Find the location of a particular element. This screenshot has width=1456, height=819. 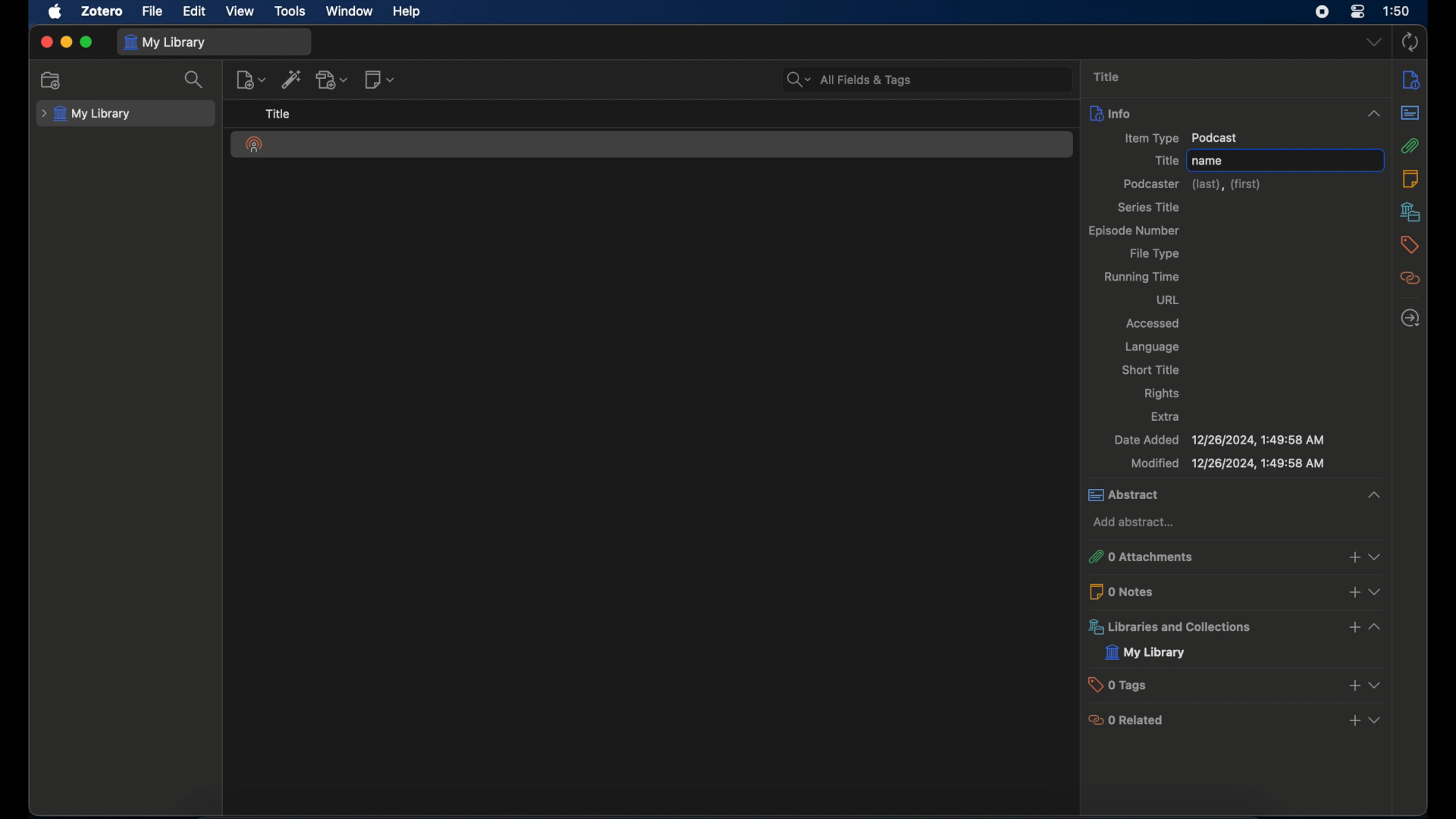

file type is located at coordinates (1156, 254).